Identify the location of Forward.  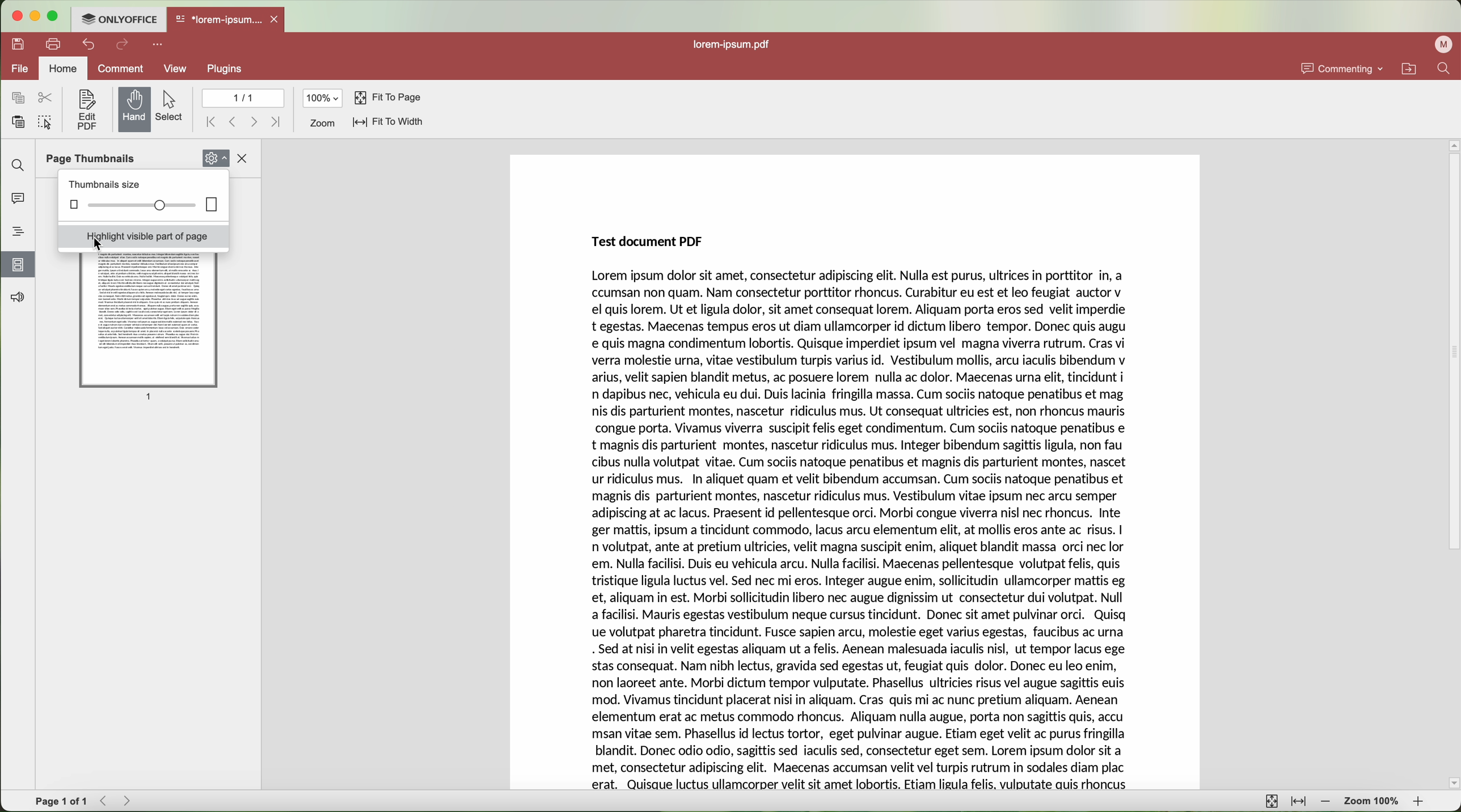
(128, 801).